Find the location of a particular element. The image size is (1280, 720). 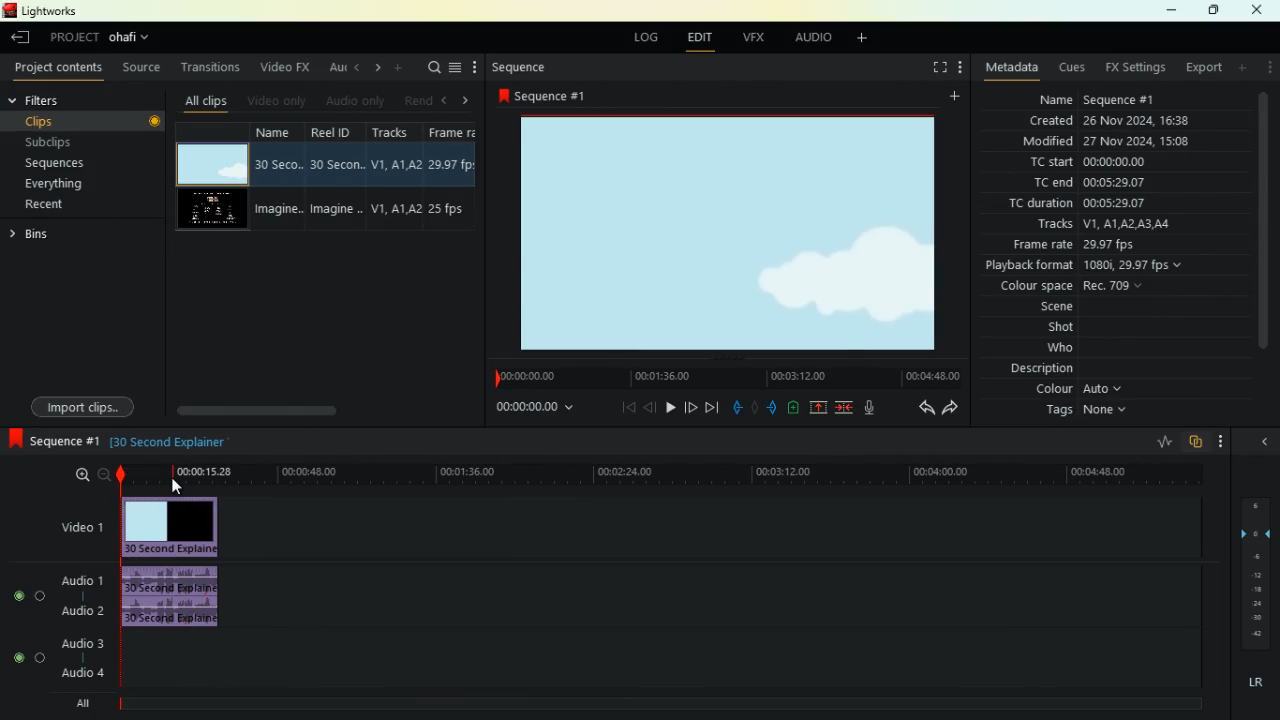

rend is located at coordinates (418, 102).